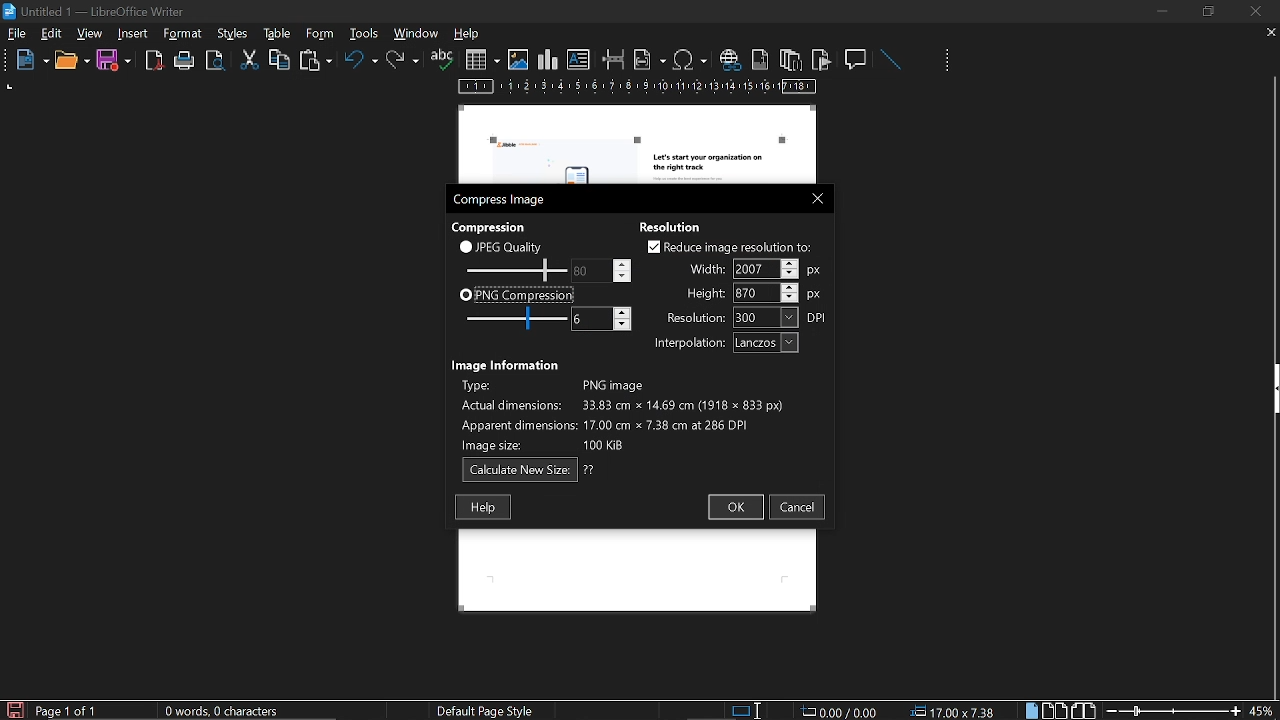 This screenshot has width=1280, height=720. Describe the element at coordinates (71, 61) in the screenshot. I see `open` at that location.